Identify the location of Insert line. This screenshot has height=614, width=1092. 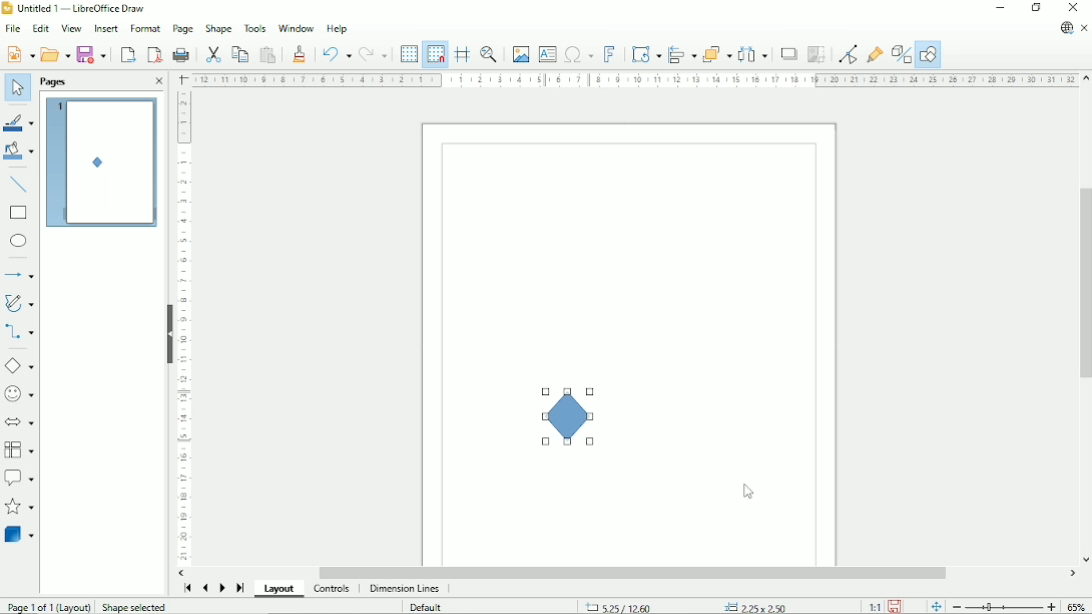
(21, 185).